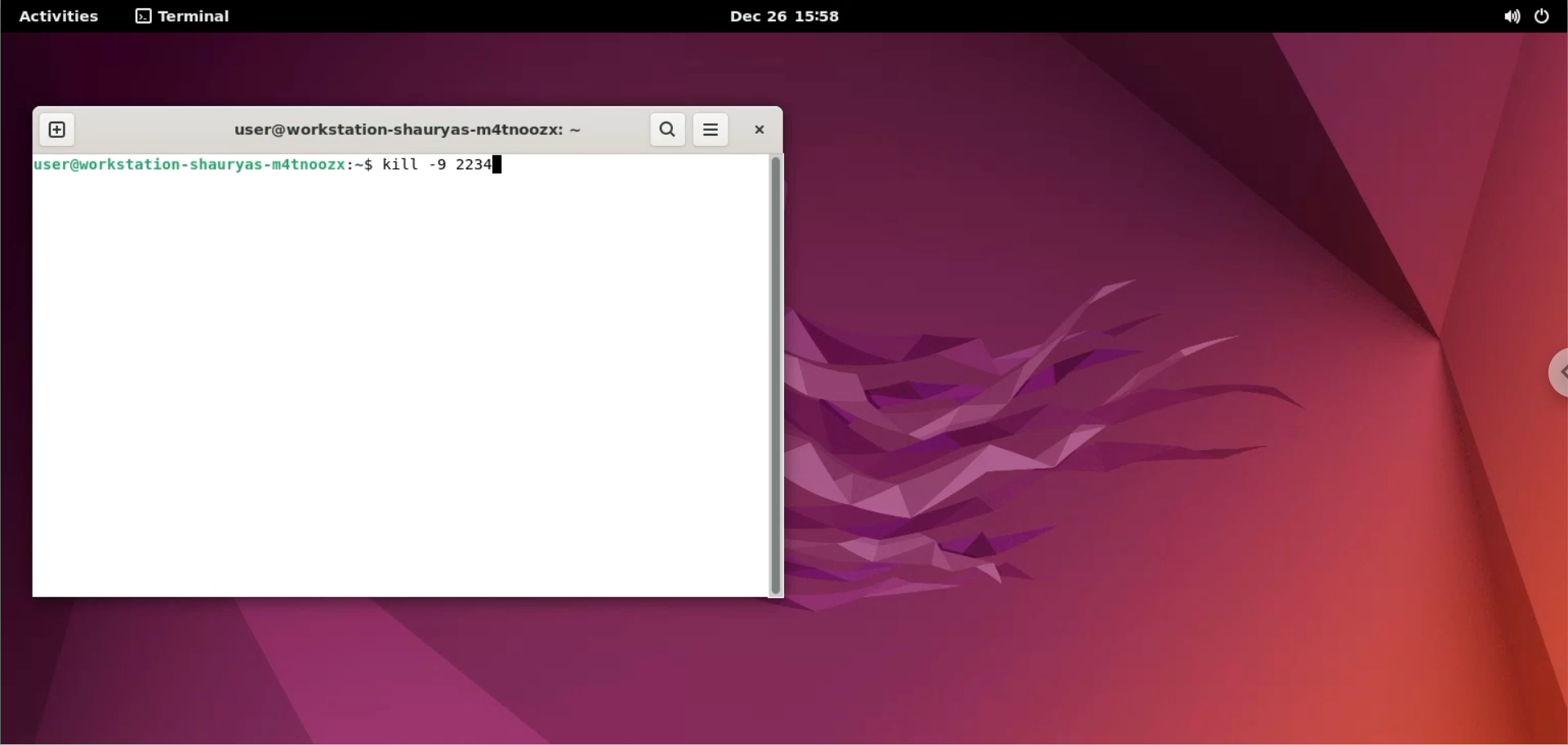 This screenshot has width=1568, height=745. Describe the element at coordinates (709, 131) in the screenshot. I see `more options` at that location.